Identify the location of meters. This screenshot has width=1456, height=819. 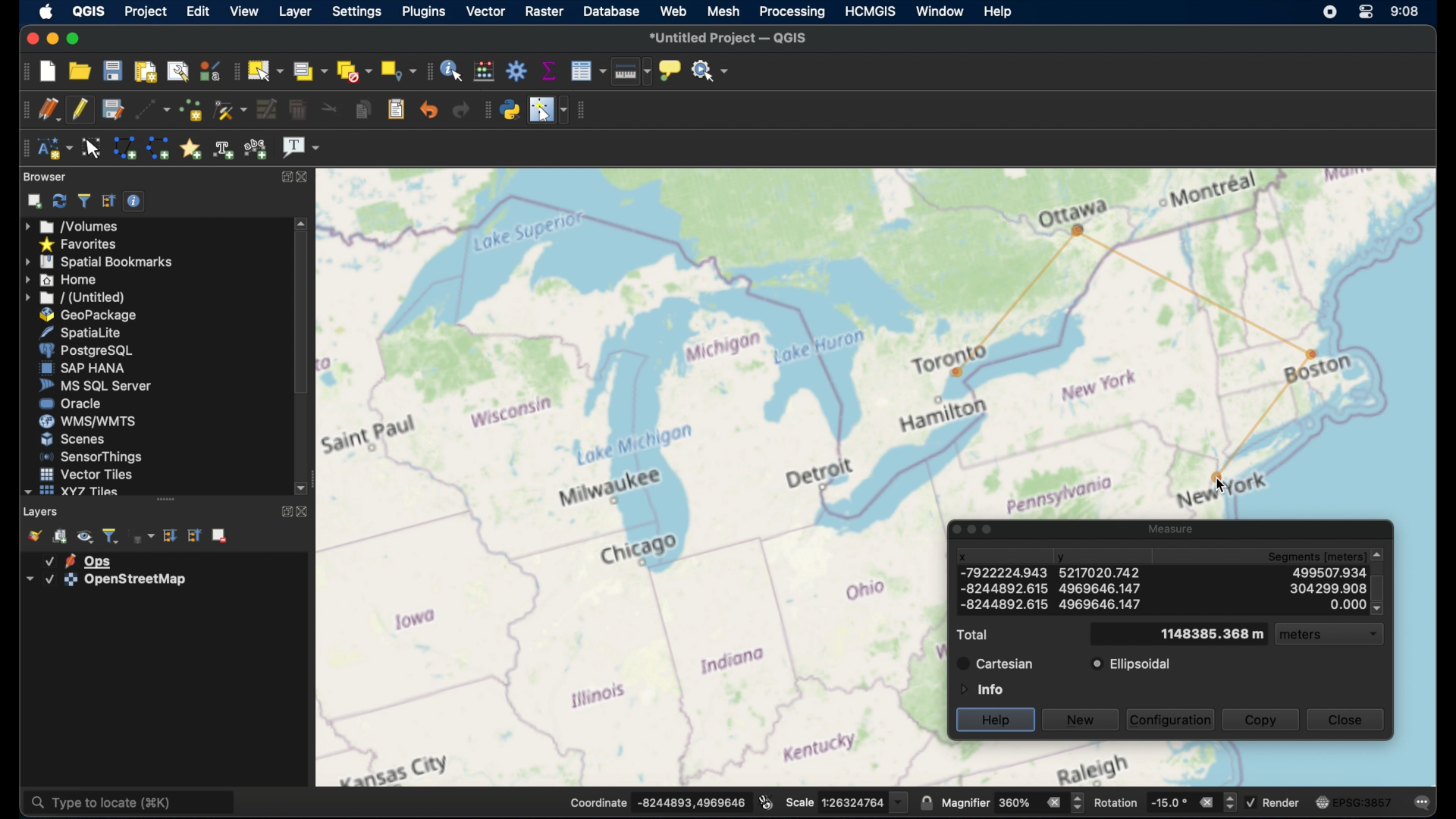
(1336, 636).